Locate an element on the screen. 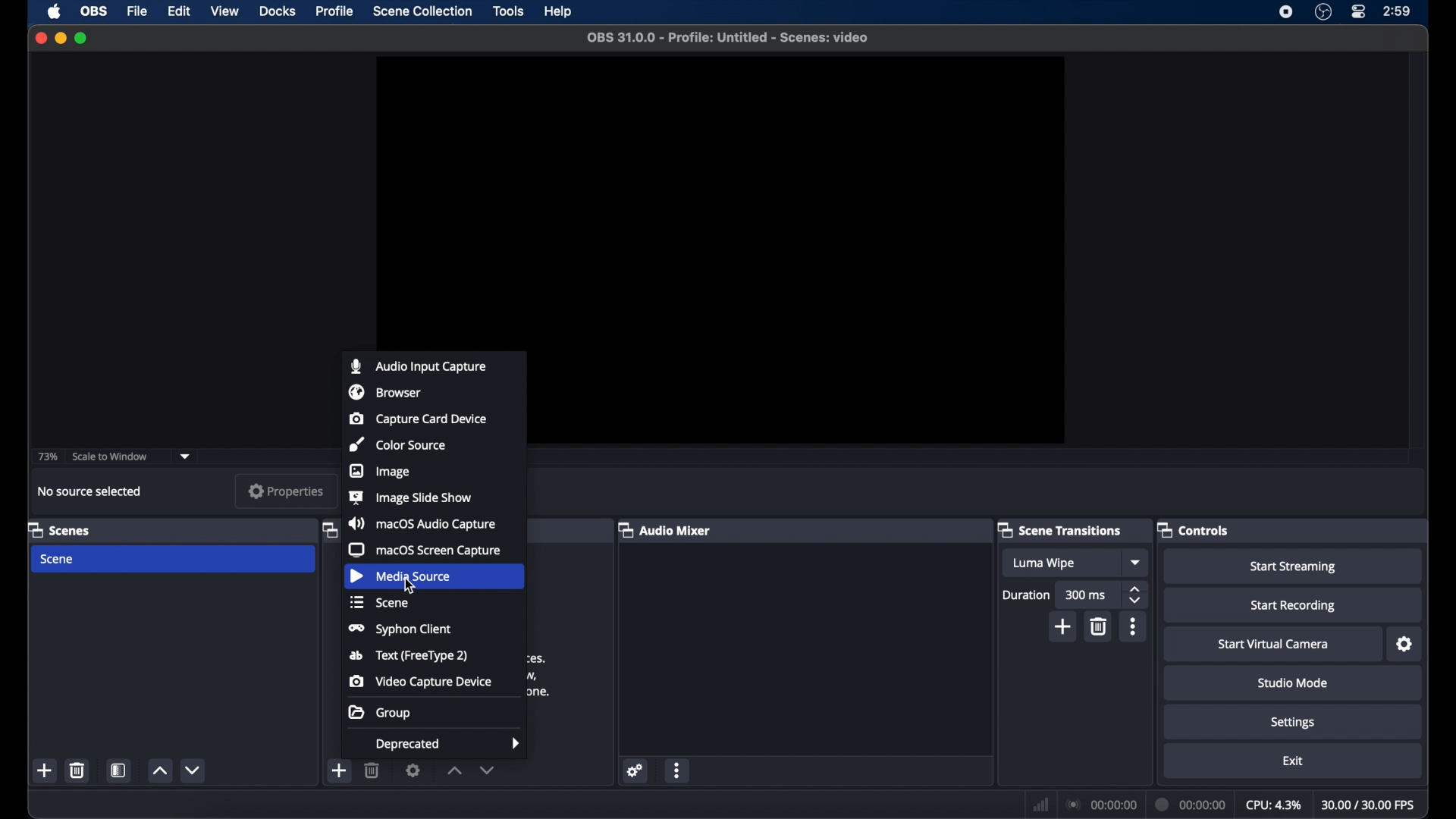 The image size is (1456, 819). scenes is located at coordinates (60, 529).